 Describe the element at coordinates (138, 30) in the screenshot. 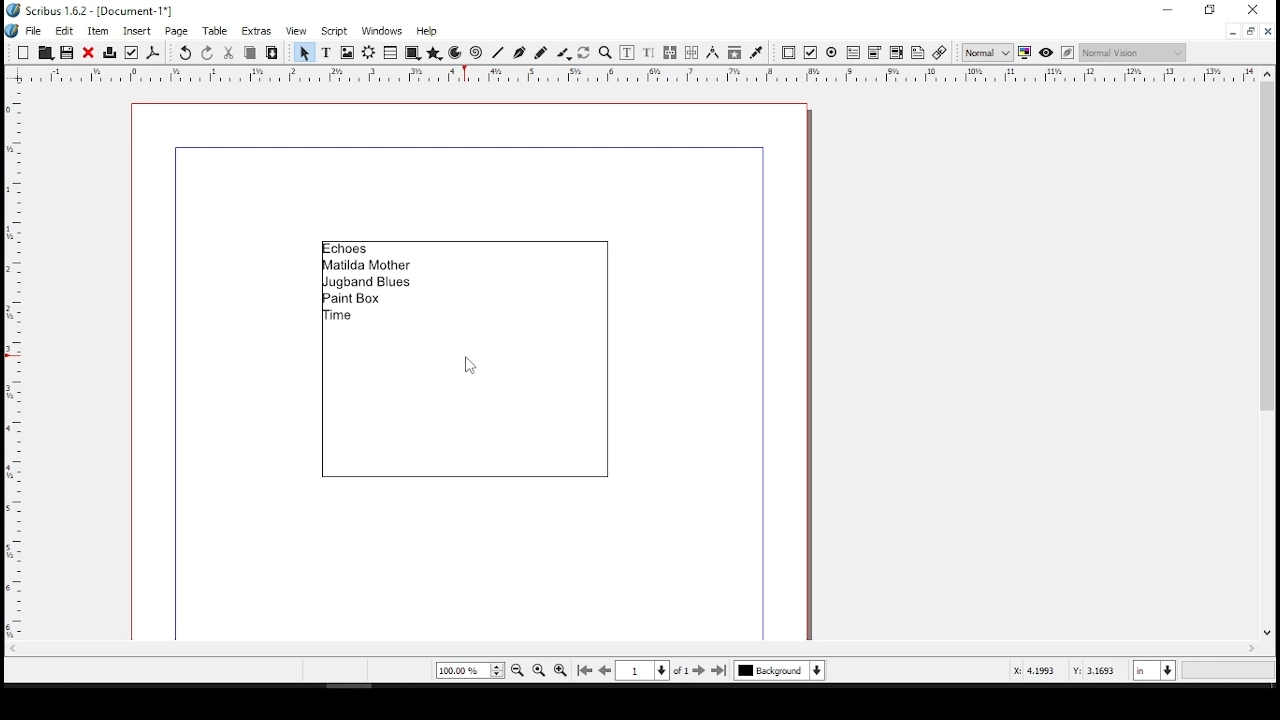

I see `insert` at that location.